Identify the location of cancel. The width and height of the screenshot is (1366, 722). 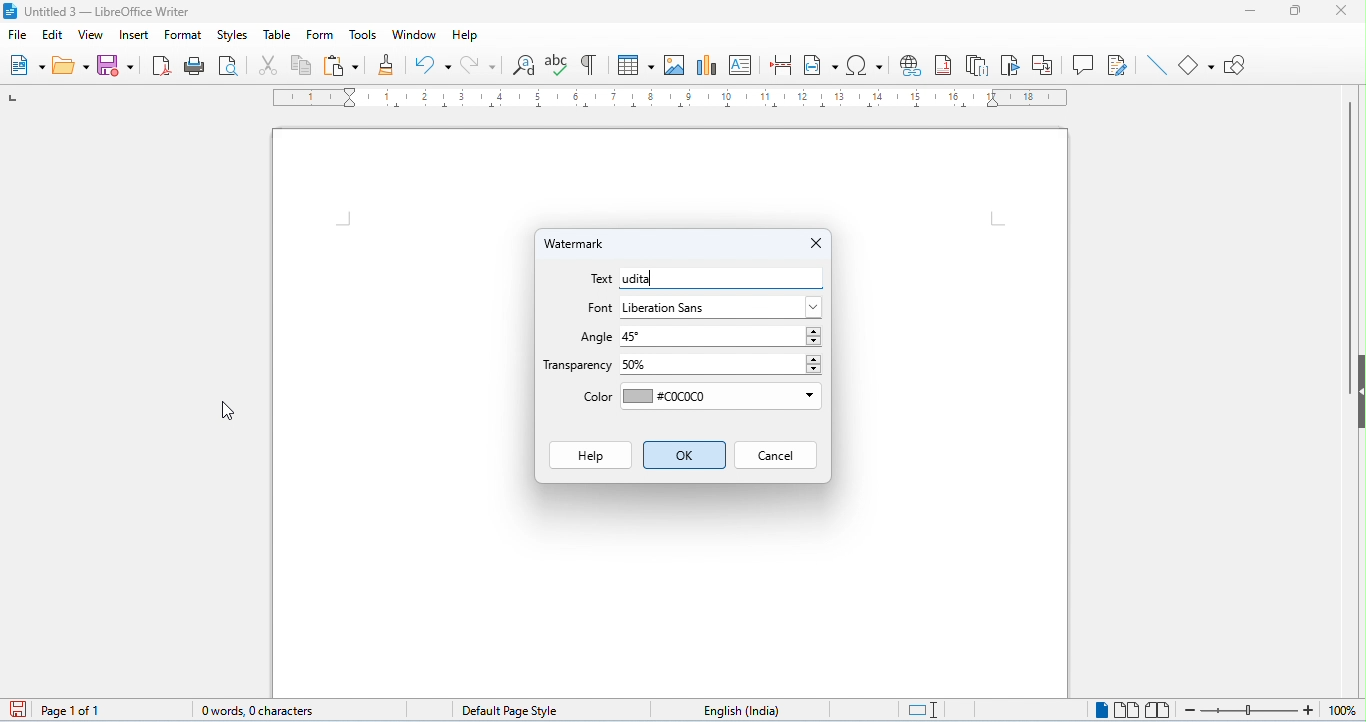
(776, 456).